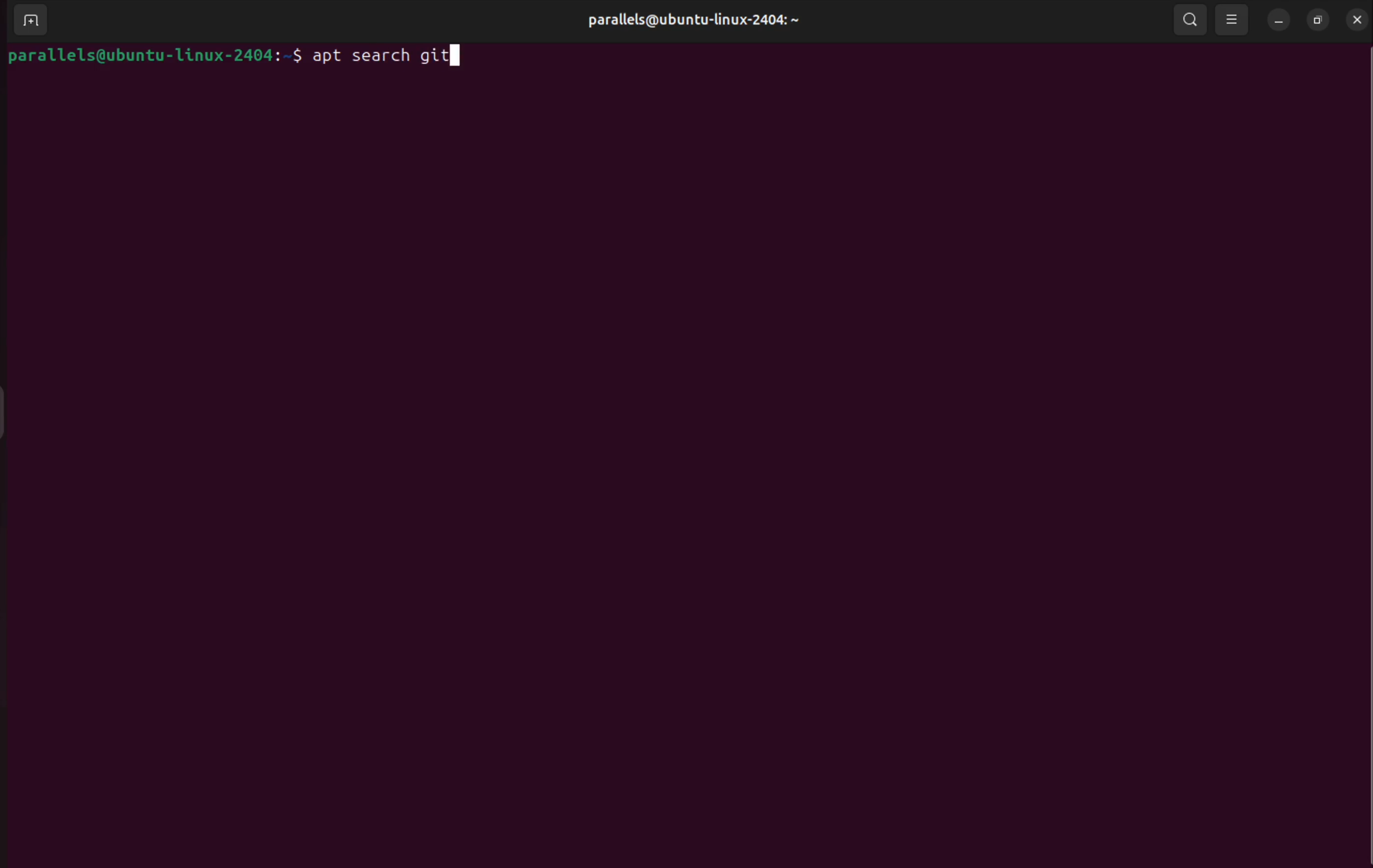 The height and width of the screenshot is (868, 1373). What do you see at coordinates (701, 20) in the screenshot?
I see `parallels@ubuntu-linux-2404: ~` at bounding box center [701, 20].